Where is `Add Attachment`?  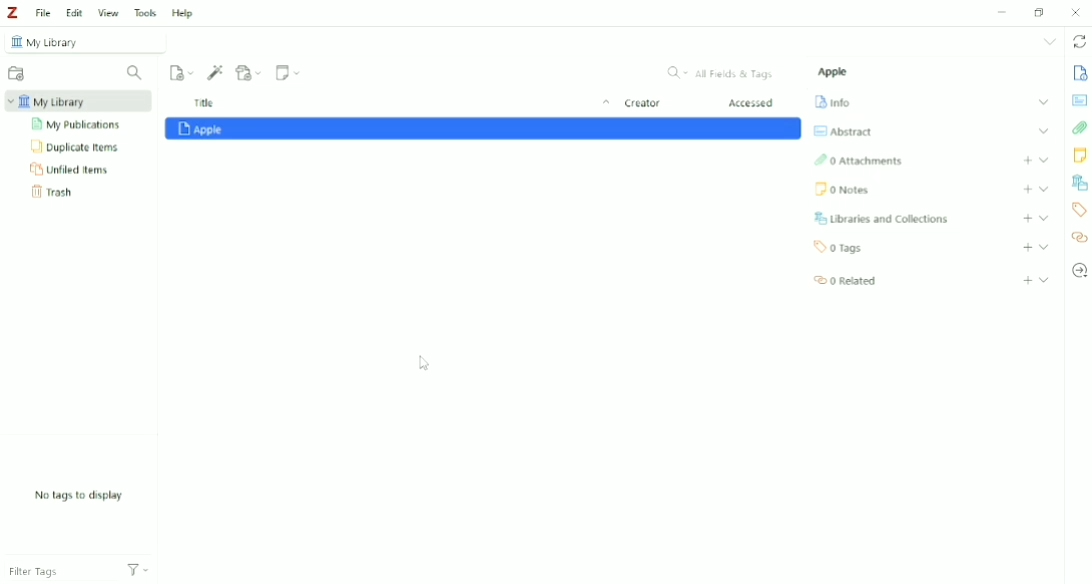
Add Attachment is located at coordinates (249, 72).